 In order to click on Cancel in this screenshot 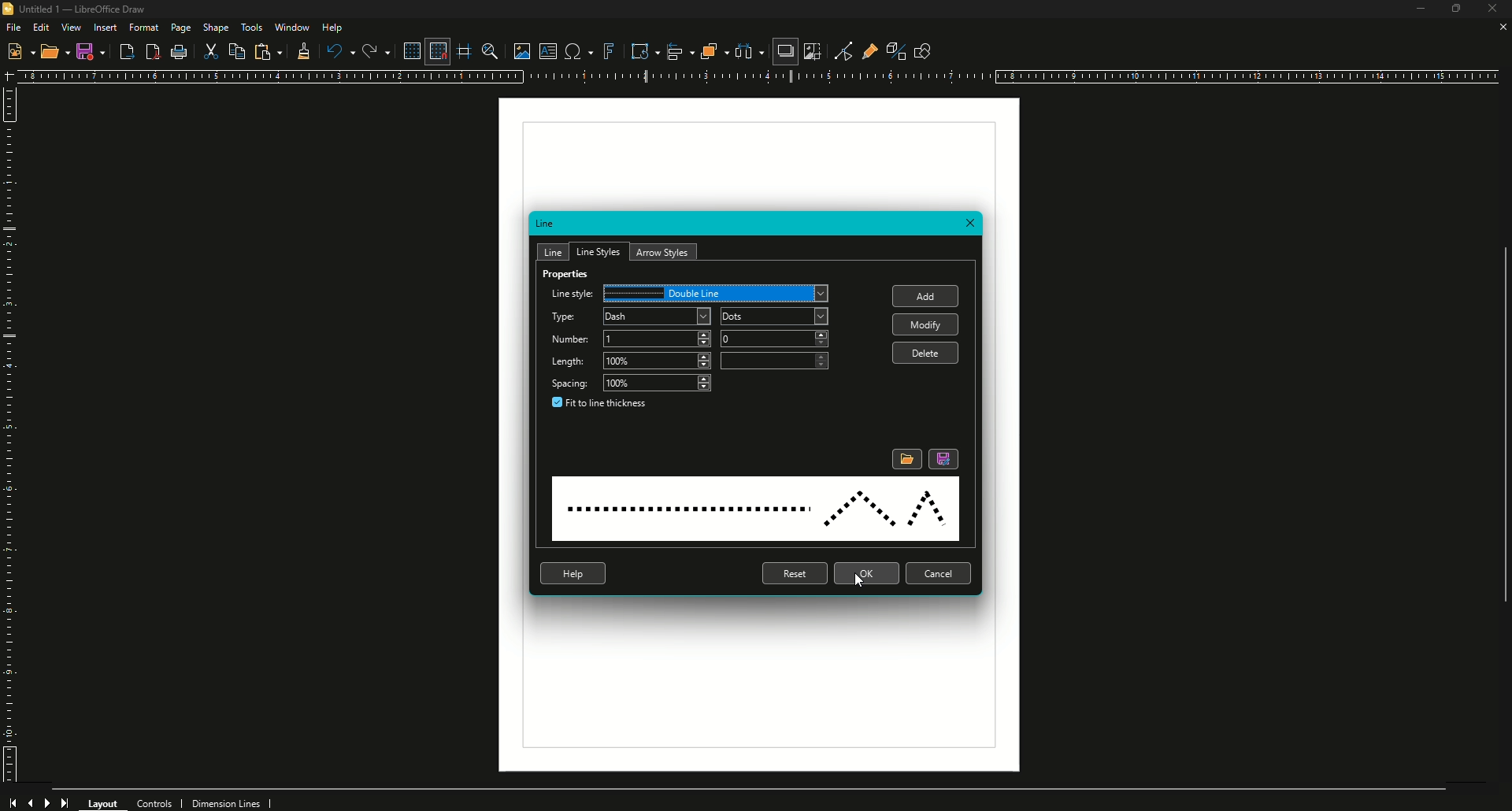, I will do `click(941, 575)`.